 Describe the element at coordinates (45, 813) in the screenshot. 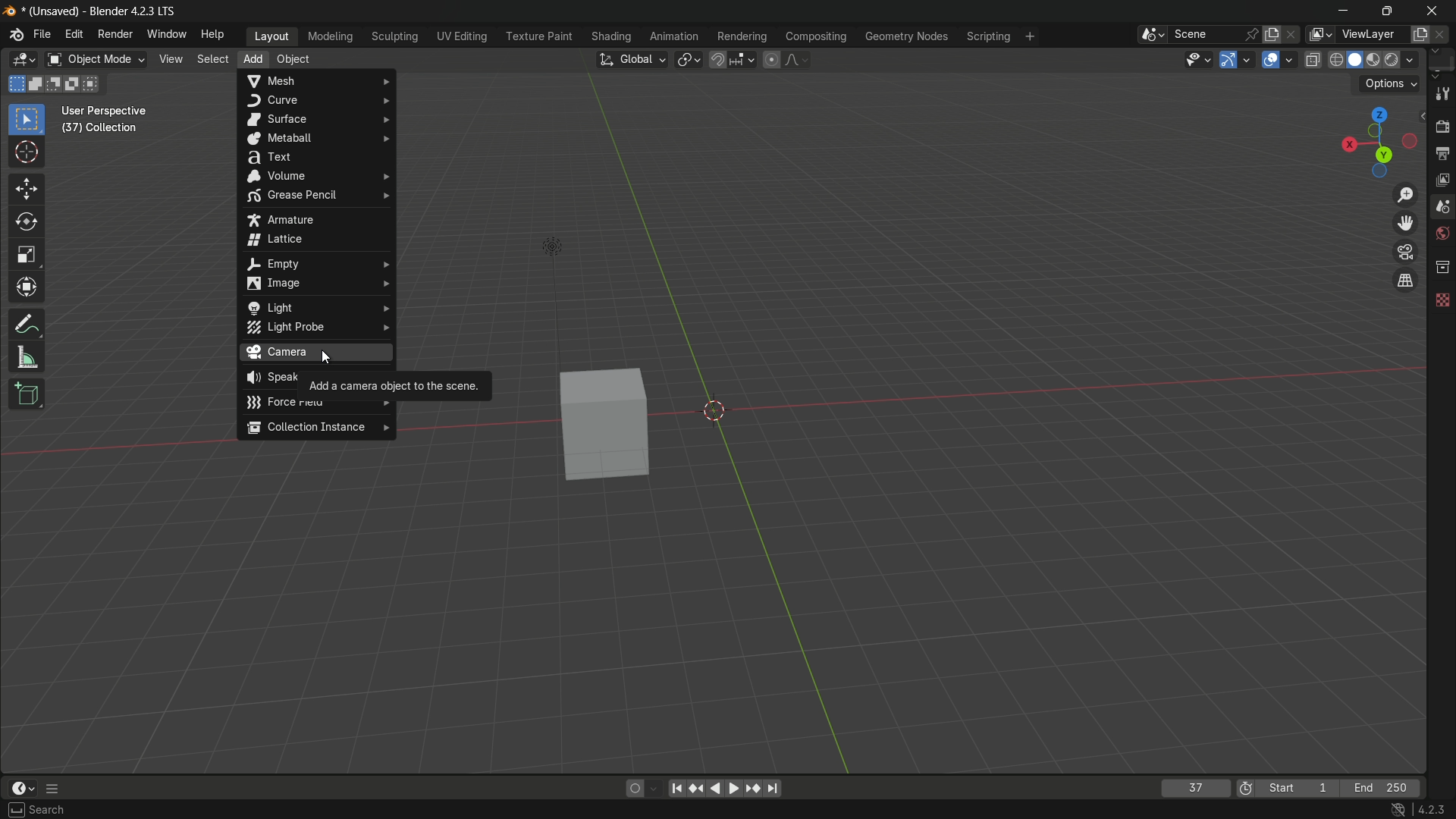

I see `select` at that location.